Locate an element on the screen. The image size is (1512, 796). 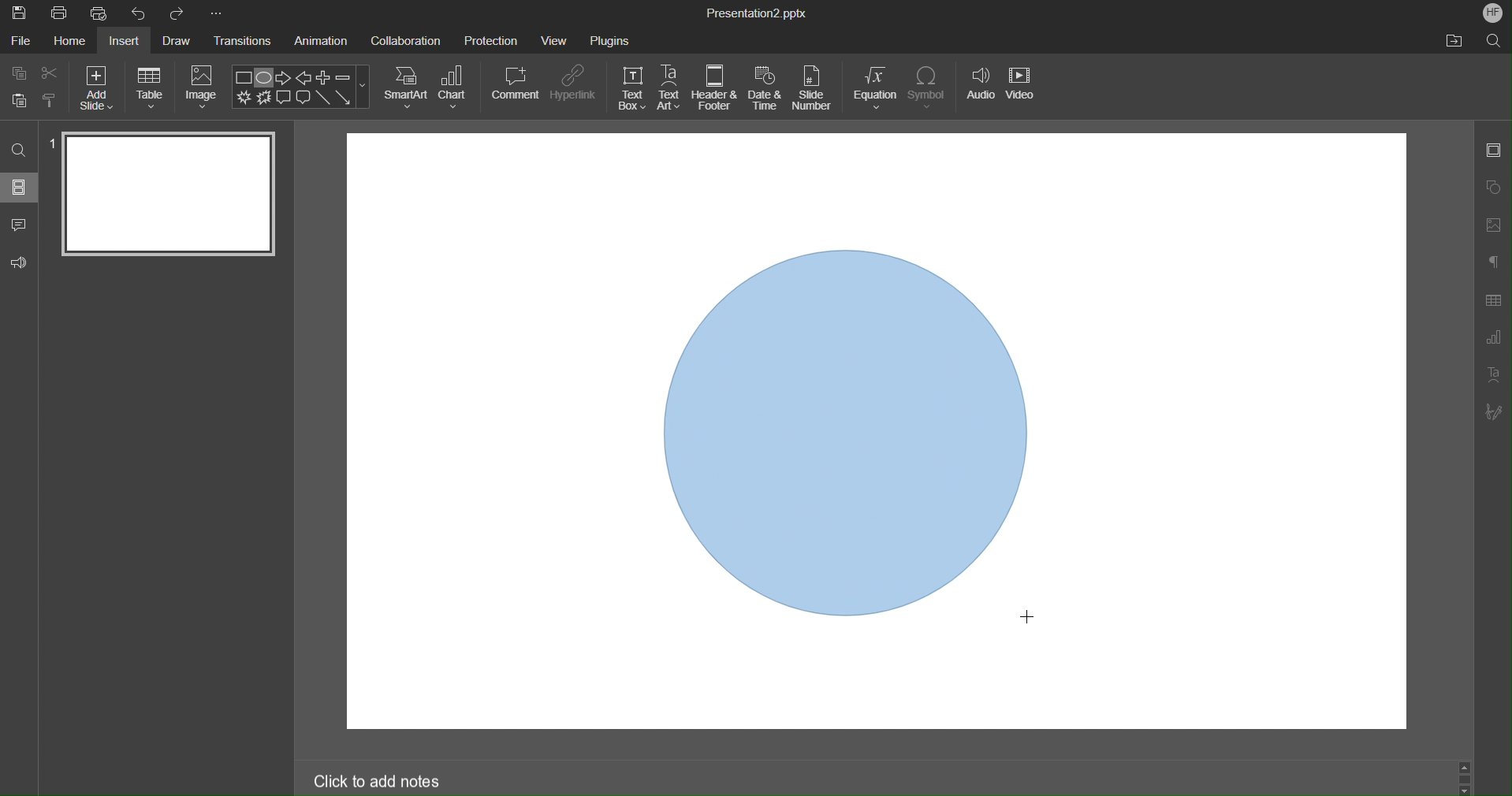
Slide Settings is located at coordinates (1493, 153).